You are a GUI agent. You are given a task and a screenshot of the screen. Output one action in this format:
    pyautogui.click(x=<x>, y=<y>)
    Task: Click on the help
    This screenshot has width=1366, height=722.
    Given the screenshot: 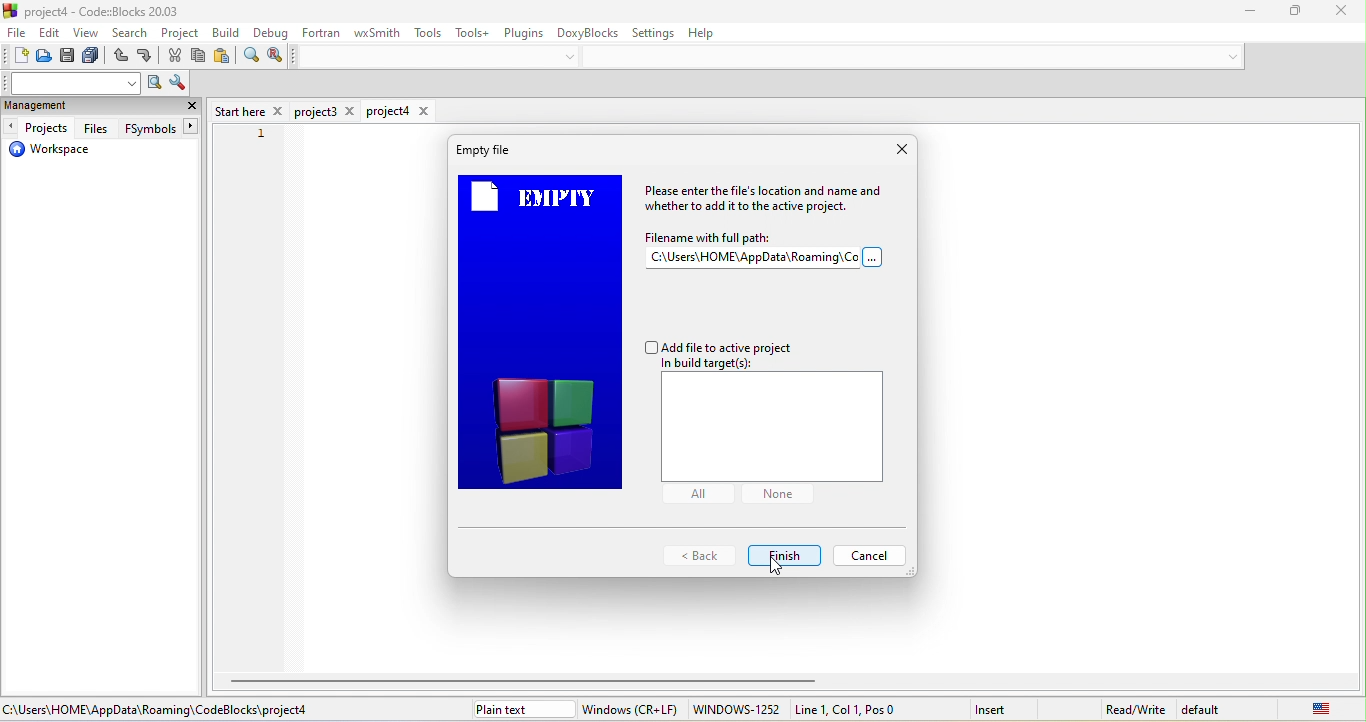 What is the action you would take?
    pyautogui.click(x=711, y=35)
    